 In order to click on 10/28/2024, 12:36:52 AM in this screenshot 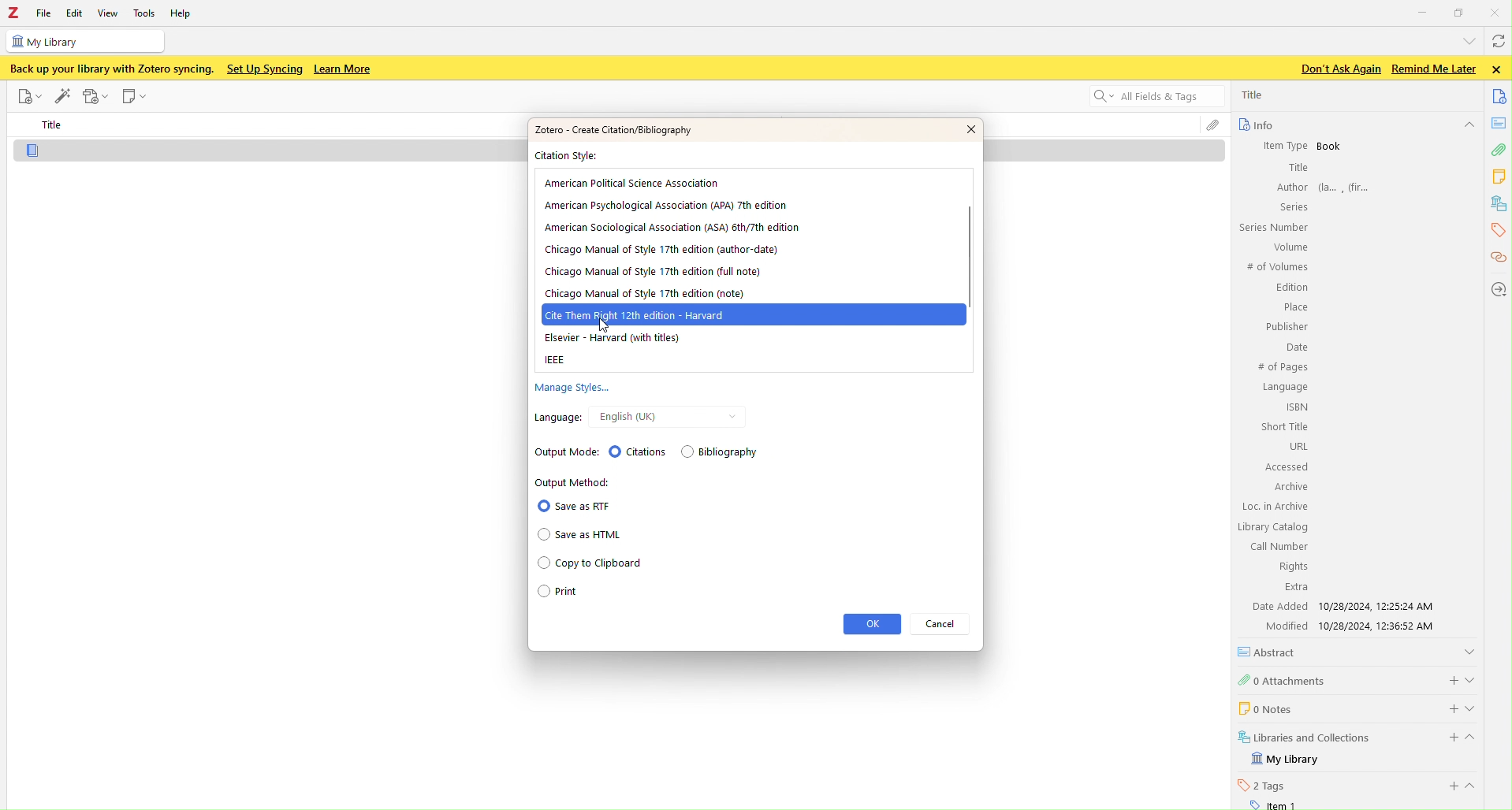, I will do `click(1383, 626)`.